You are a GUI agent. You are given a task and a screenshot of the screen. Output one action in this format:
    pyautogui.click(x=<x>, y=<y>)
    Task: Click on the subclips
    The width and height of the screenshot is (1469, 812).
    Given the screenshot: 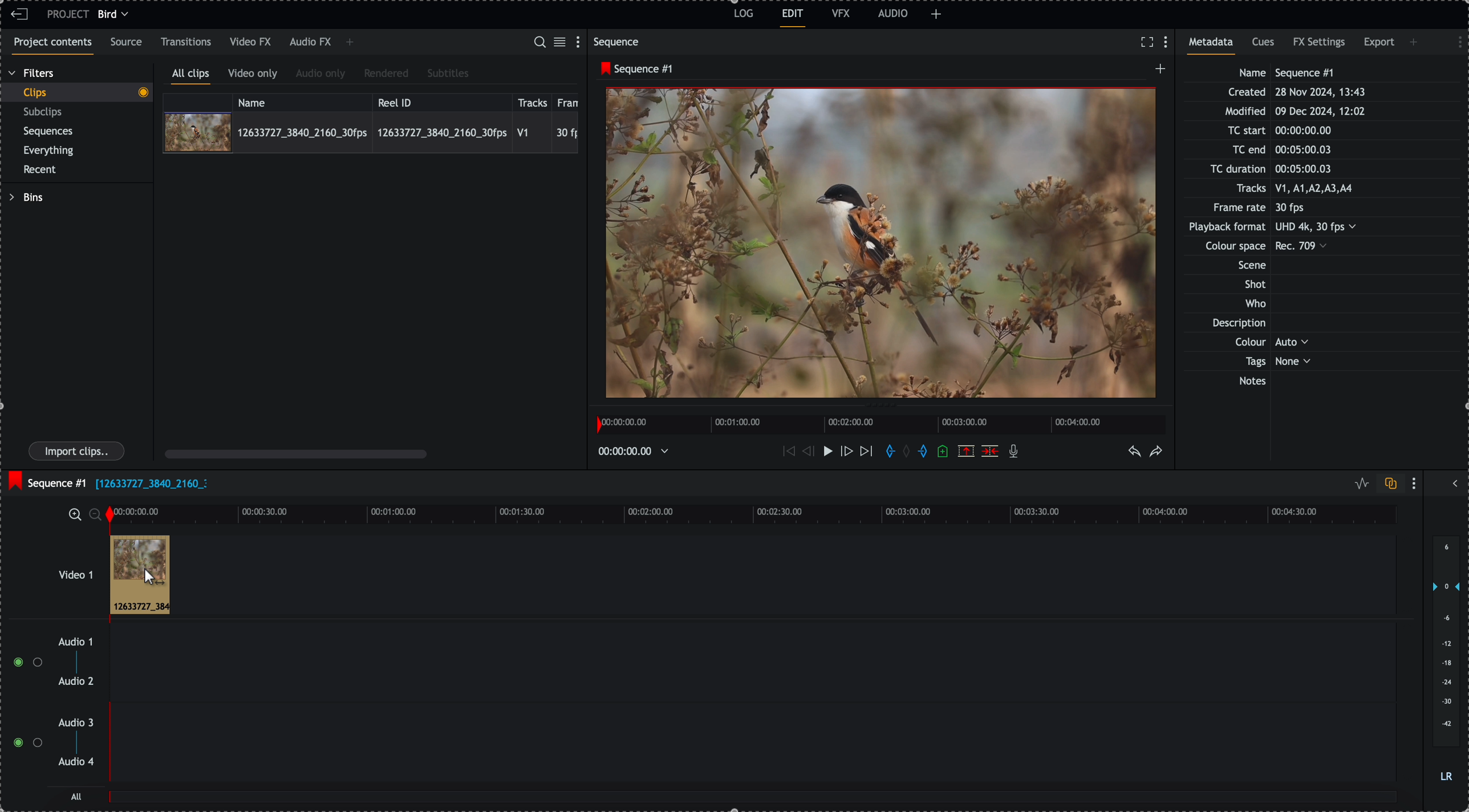 What is the action you would take?
    pyautogui.click(x=45, y=112)
    